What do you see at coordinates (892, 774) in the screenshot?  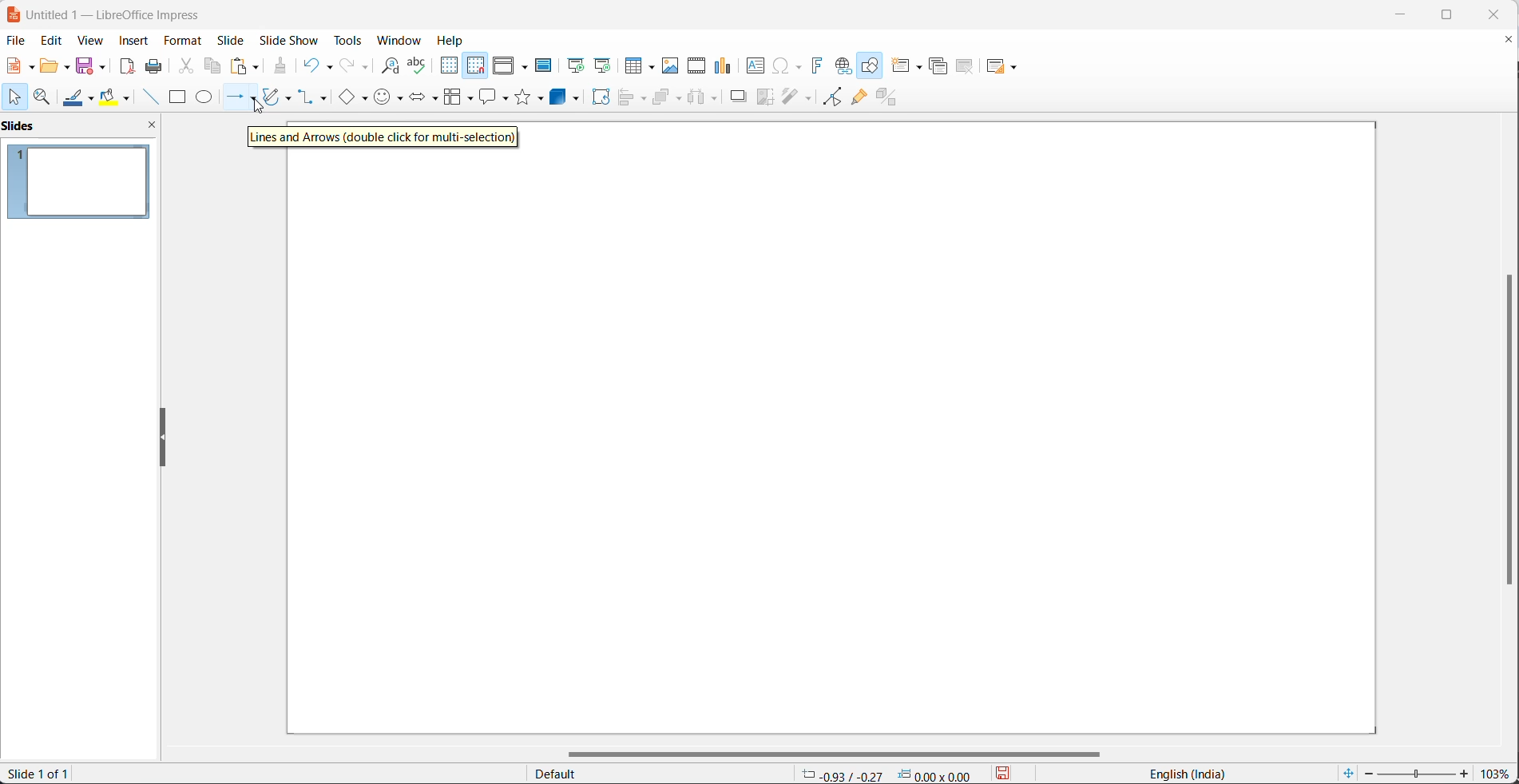 I see `-0.93/0.27 0.00*0.00` at bounding box center [892, 774].